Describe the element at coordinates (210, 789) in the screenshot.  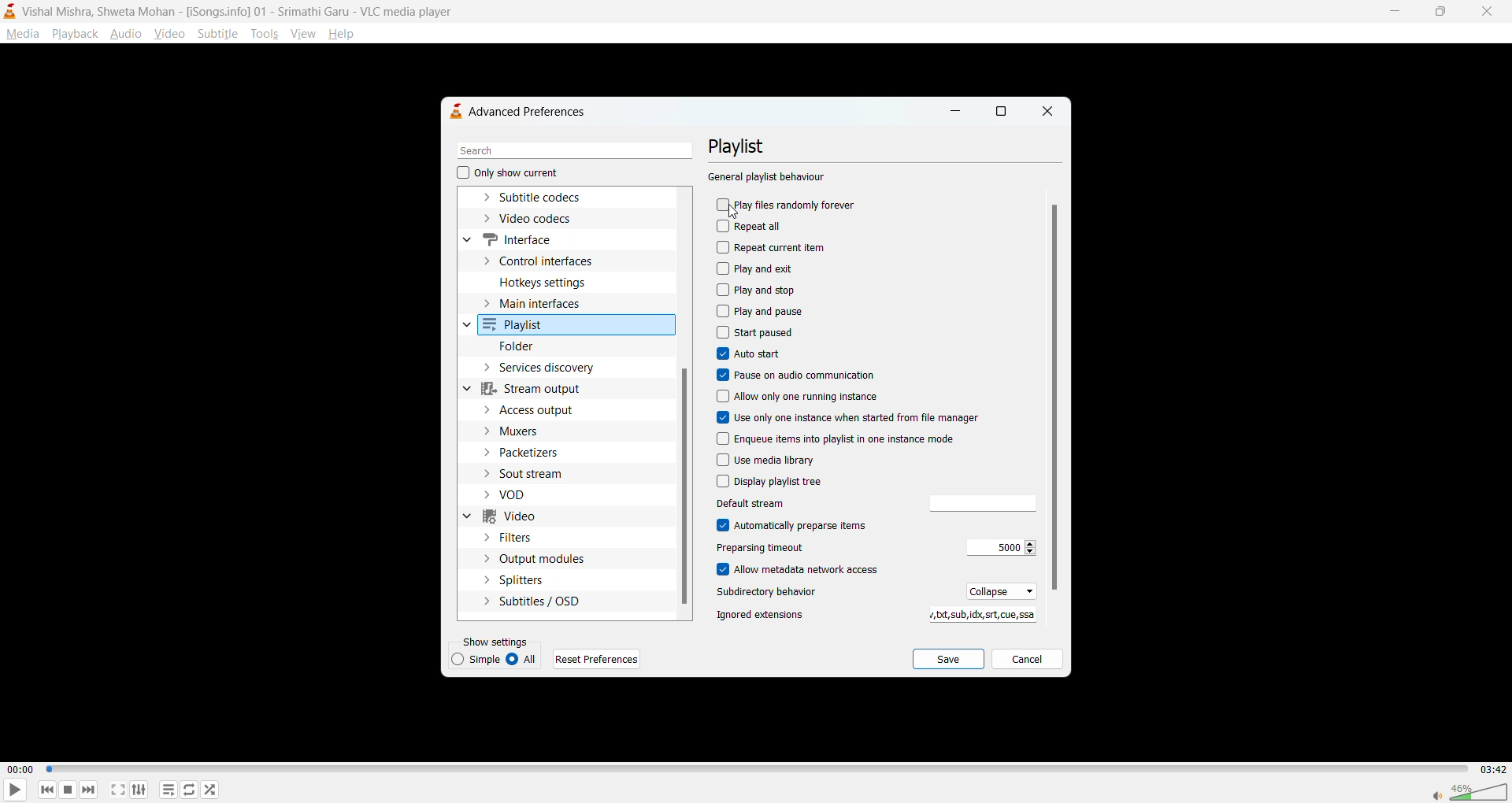
I see `random` at that location.